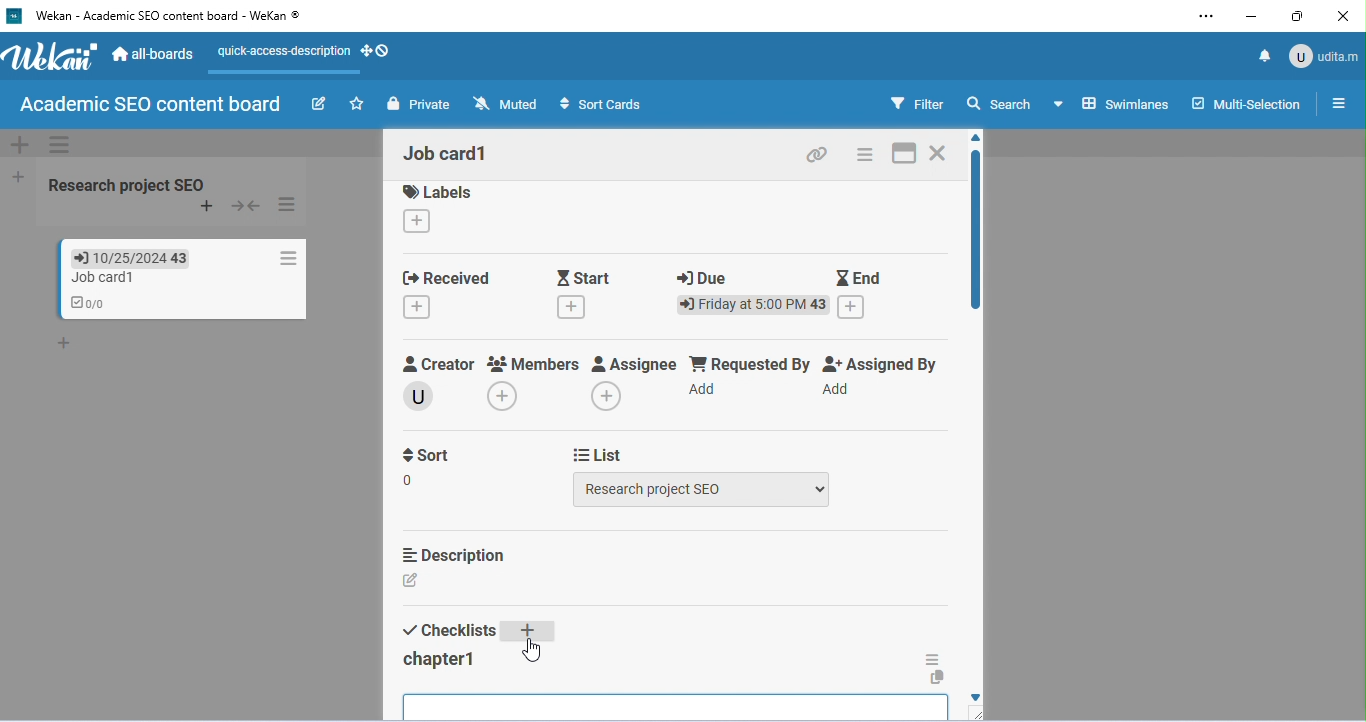 The height and width of the screenshot is (722, 1366). What do you see at coordinates (1297, 16) in the screenshot?
I see `maximize` at bounding box center [1297, 16].